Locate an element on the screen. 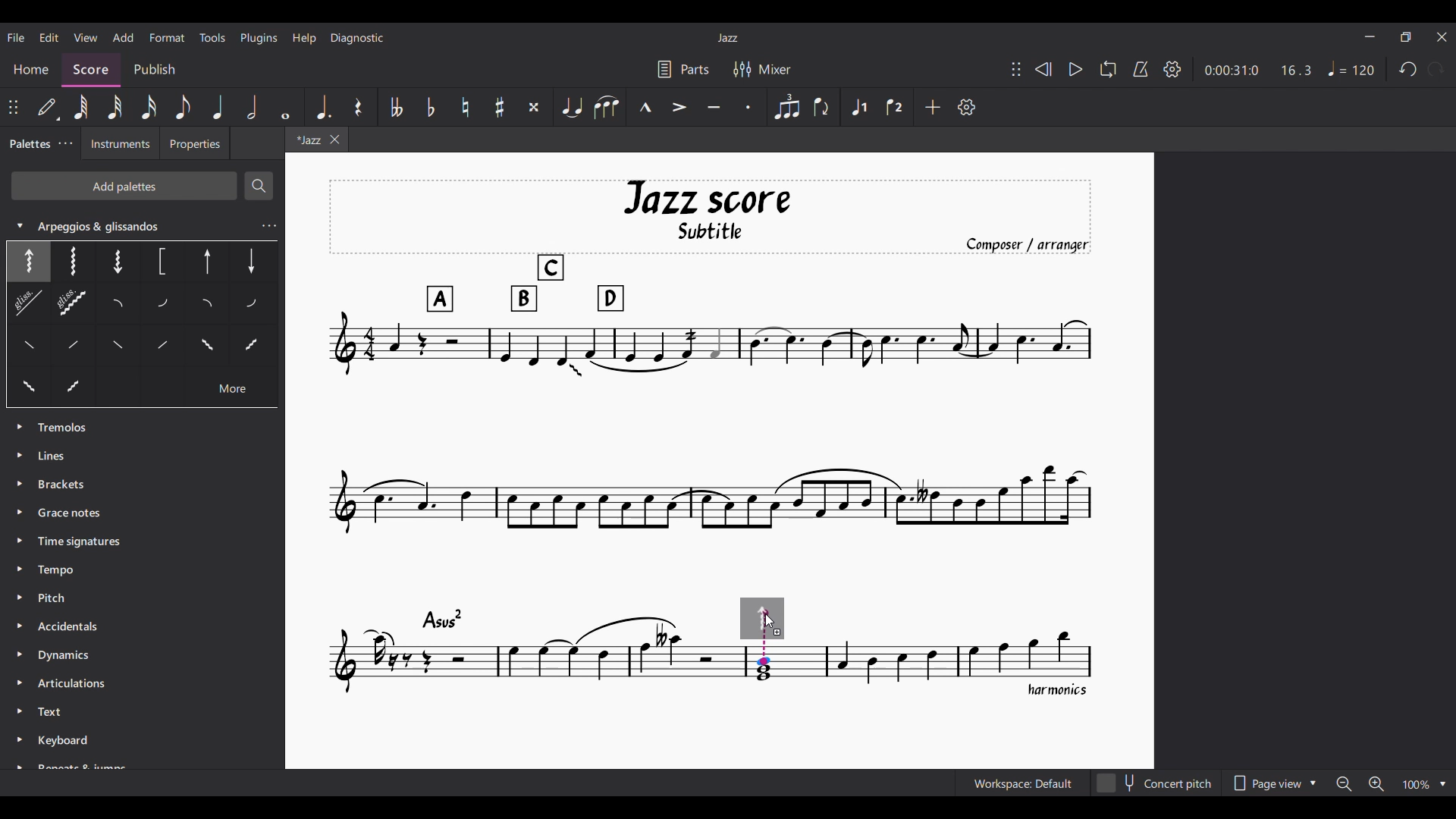 This screenshot has width=1456, height=819. File menu is located at coordinates (16, 37).